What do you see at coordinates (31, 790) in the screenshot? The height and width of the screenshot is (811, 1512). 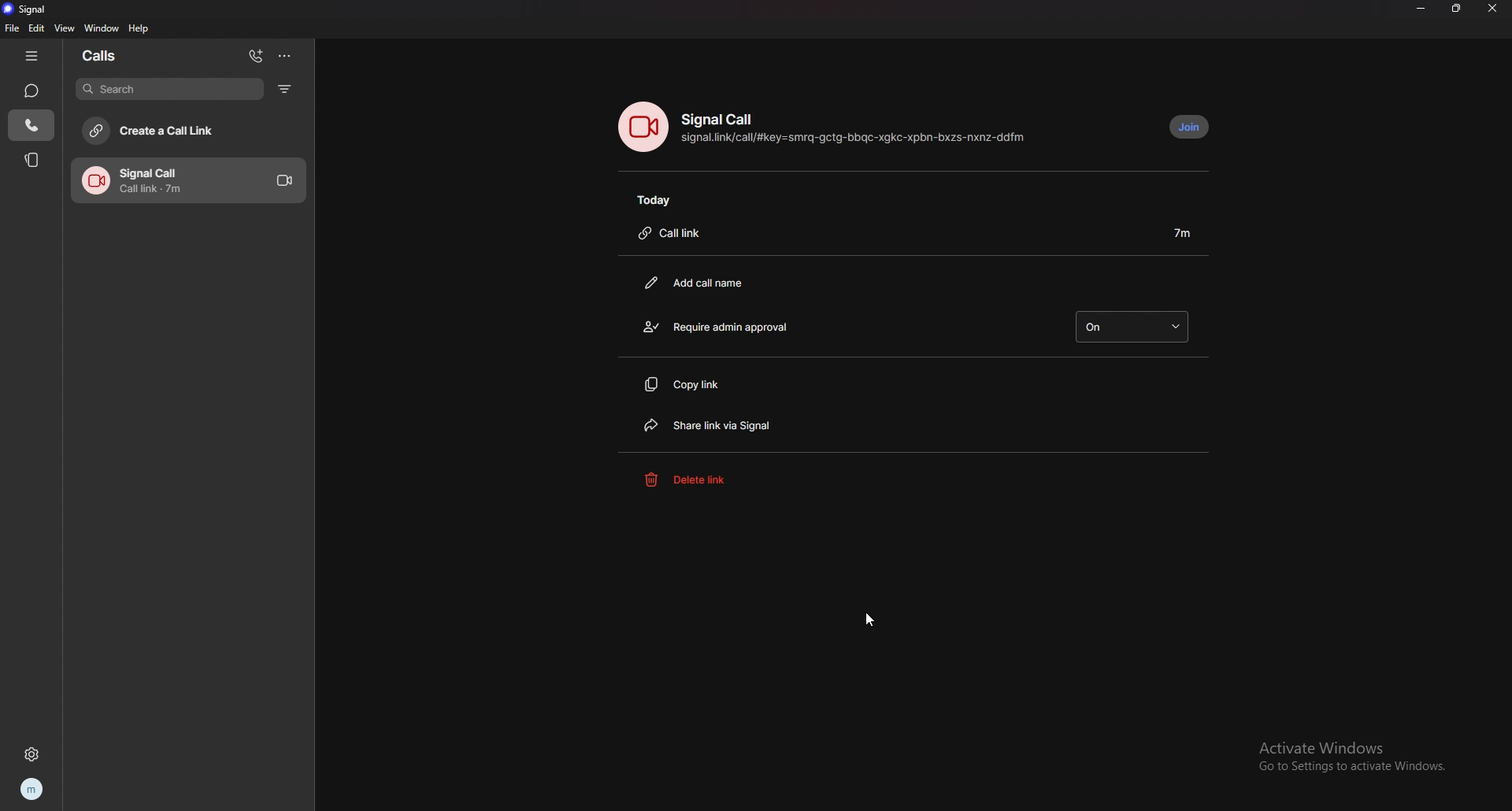 I see `profile` at bounding box center [31, 790].